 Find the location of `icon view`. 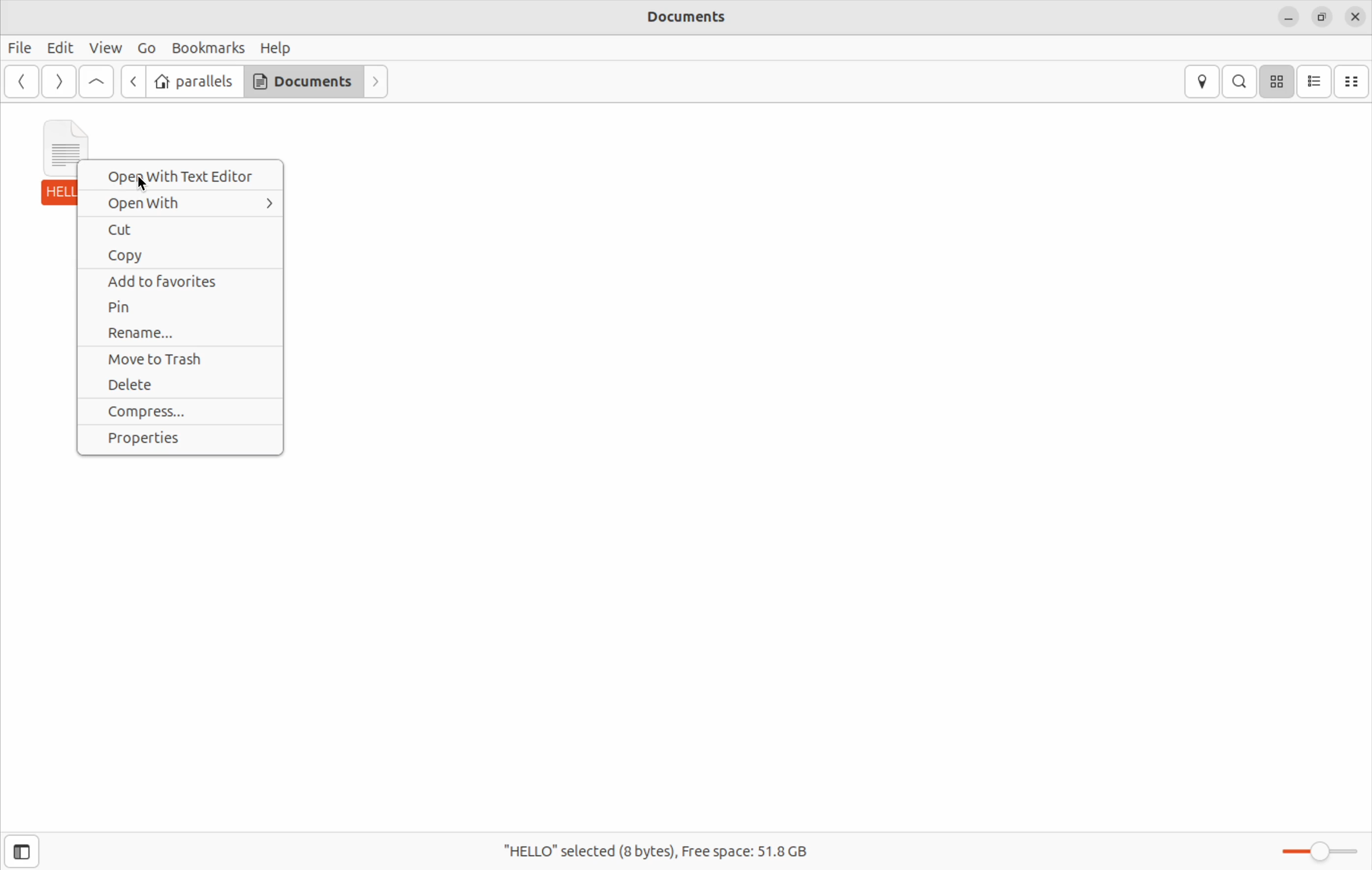

icon view is located at coordinates (1279, 82).